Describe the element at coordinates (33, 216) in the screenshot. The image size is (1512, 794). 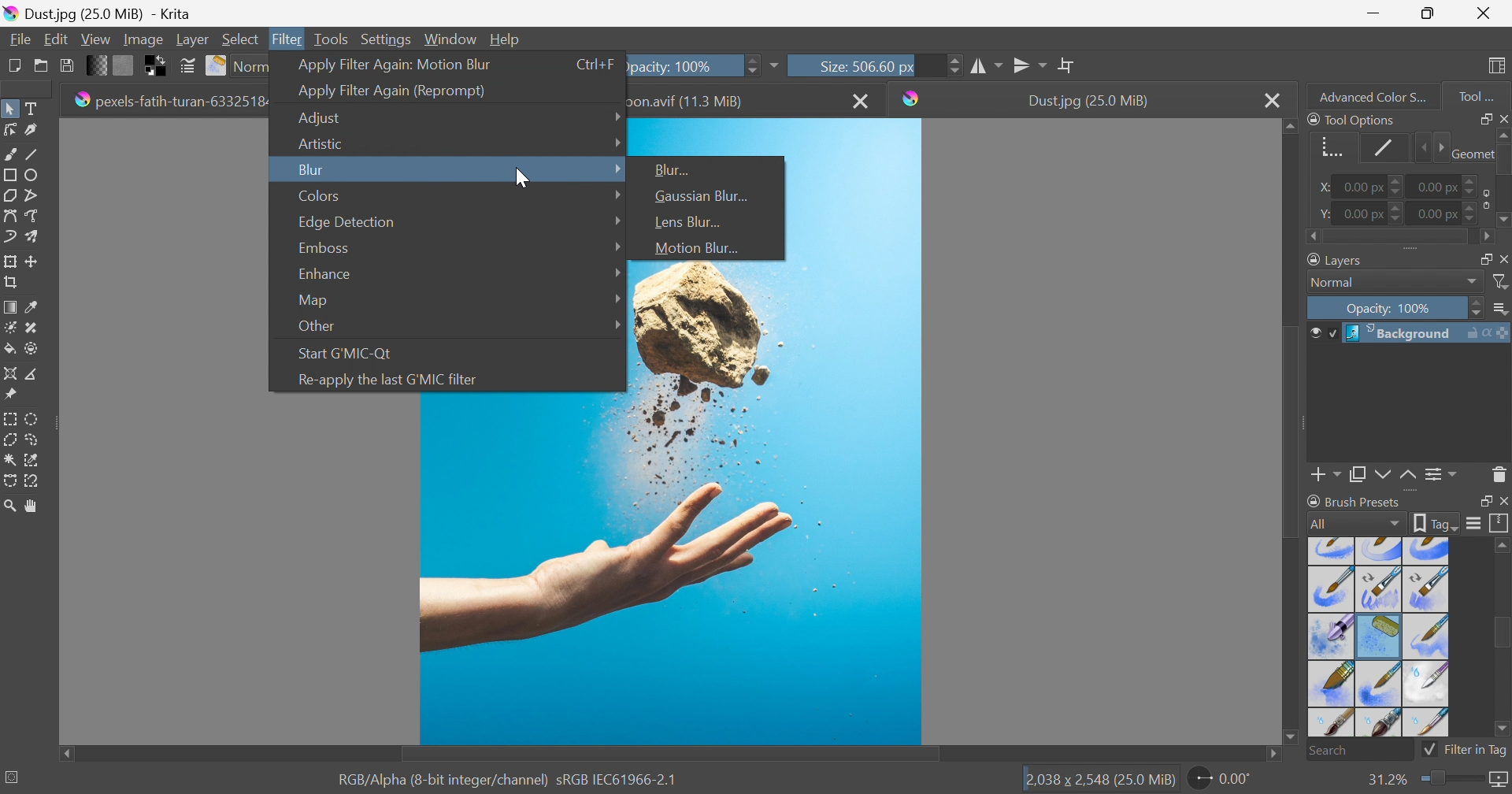
I see `Freehand path tool` at that location.